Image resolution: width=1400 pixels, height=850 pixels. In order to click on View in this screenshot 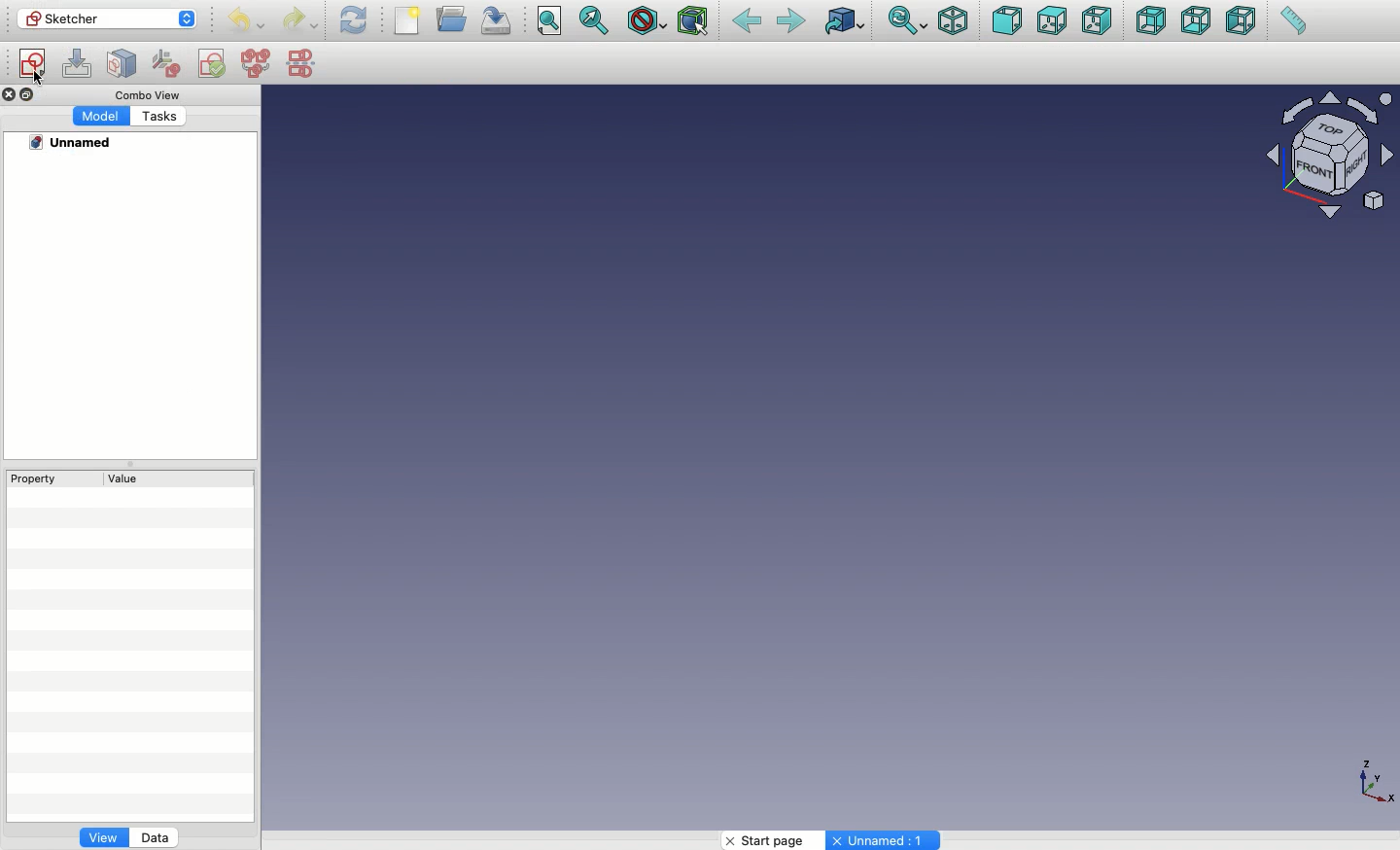, I will do `click(103, 840)`.